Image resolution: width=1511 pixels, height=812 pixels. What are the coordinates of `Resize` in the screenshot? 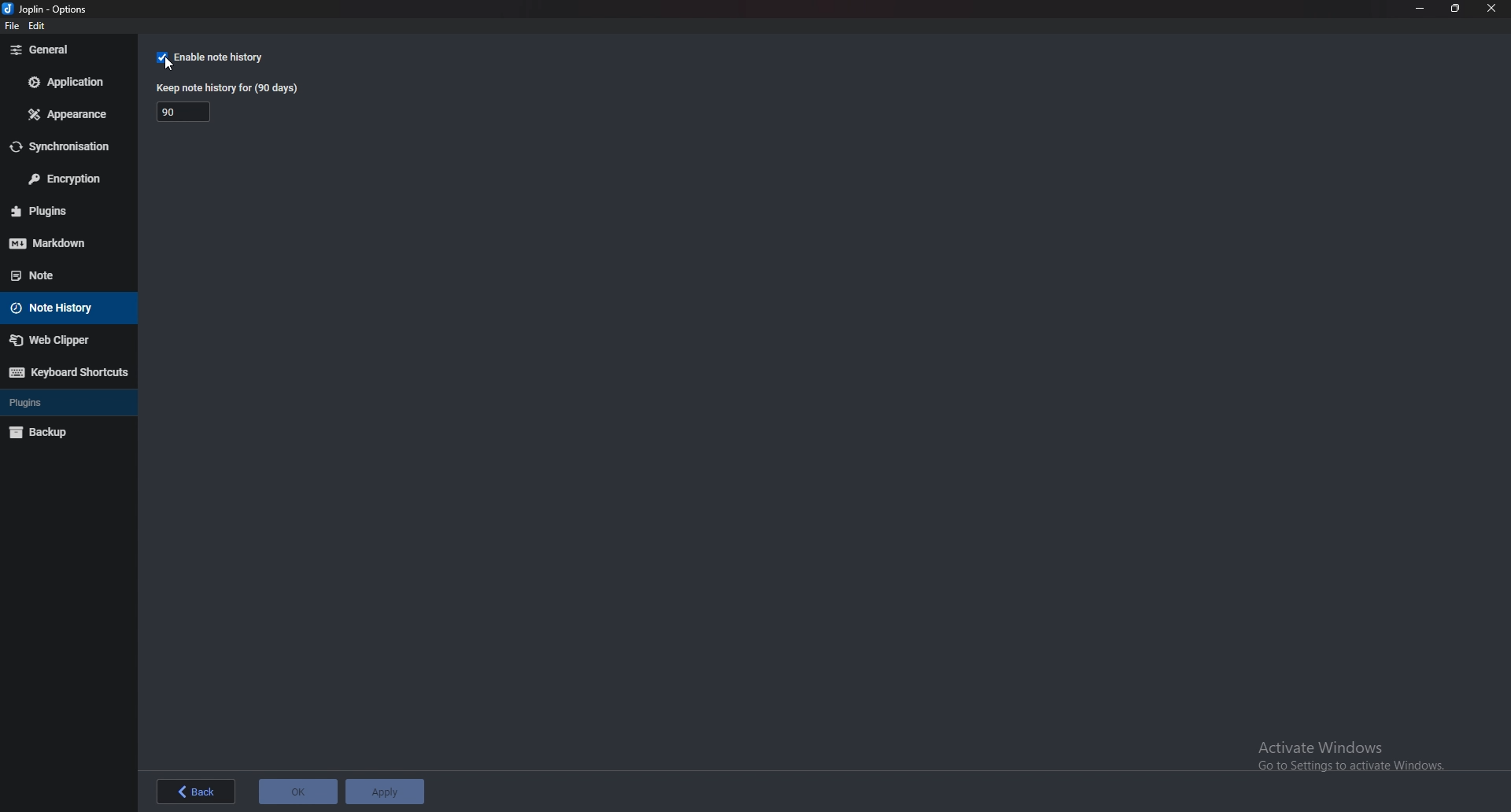 It's located at (1454, 9).